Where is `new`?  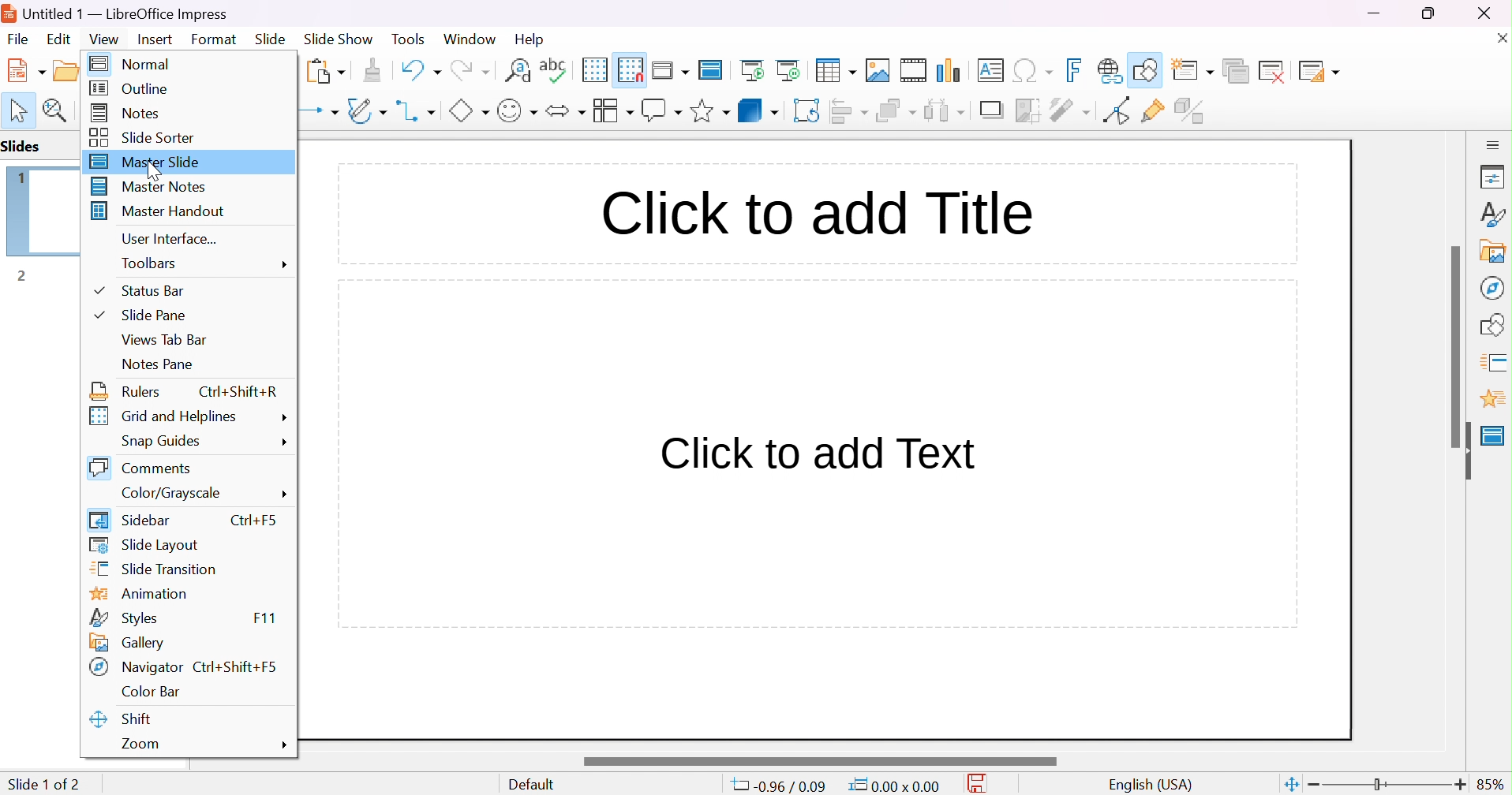 new is located at coordinates (28, 69).